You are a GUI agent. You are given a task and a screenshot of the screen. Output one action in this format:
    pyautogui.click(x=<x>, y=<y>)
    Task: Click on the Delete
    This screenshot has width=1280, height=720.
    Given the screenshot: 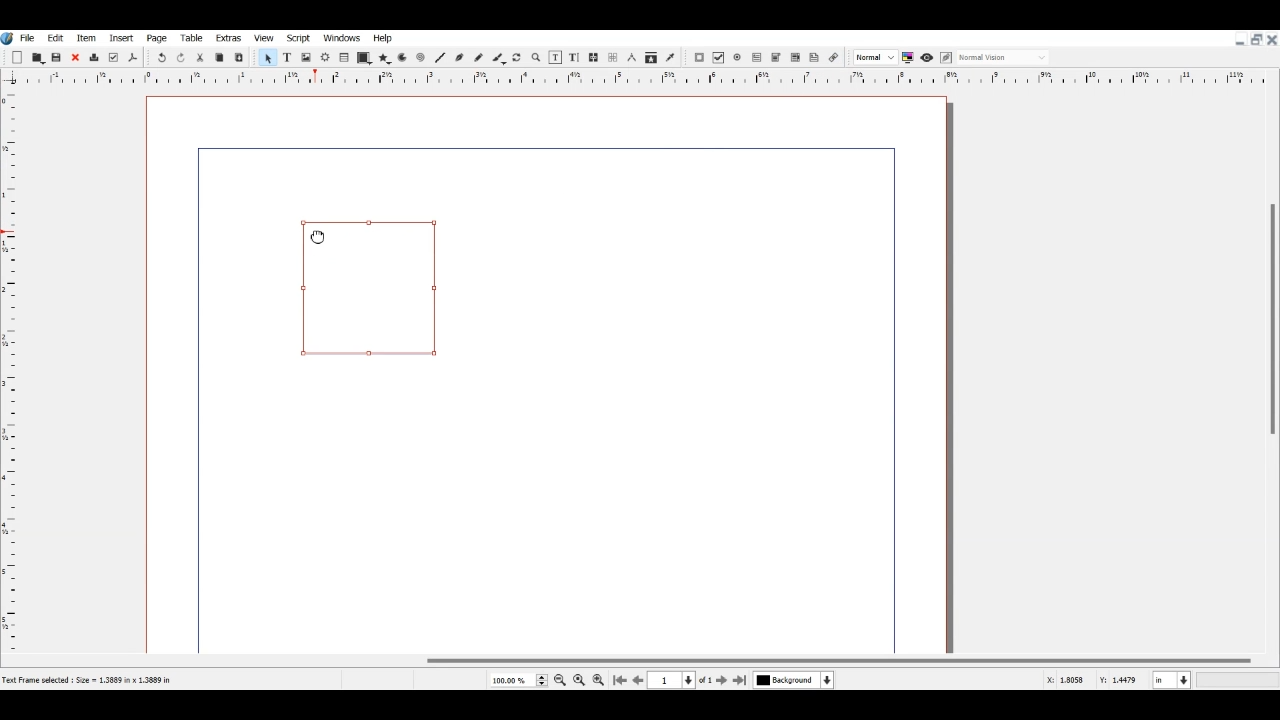 What is the action you would take?
    pyautogui.click(x=93, y=58)
    